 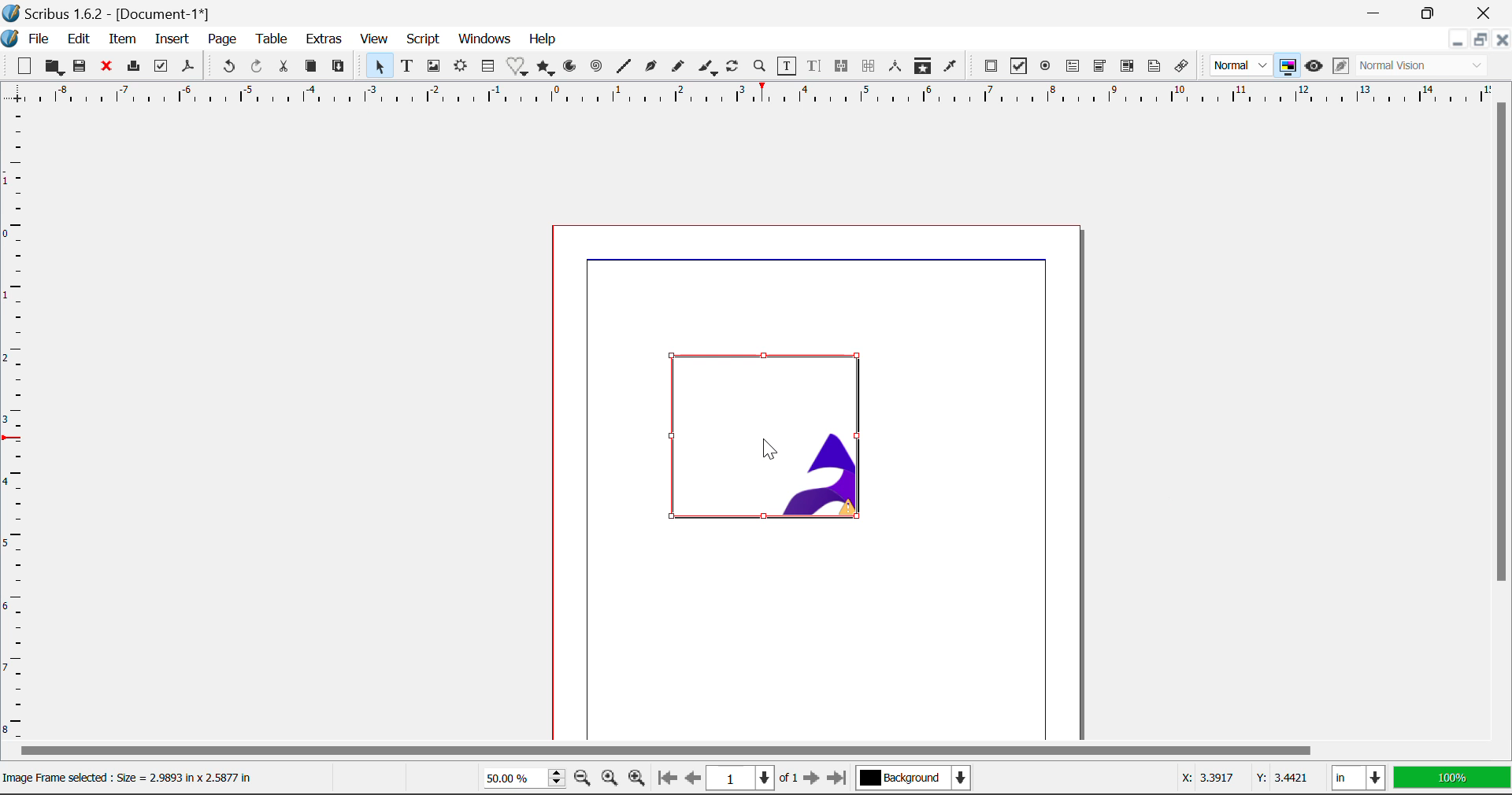 What do you see at coordinates (106, 67) in the screenshot?
I see `Close` at bounding box center [106, 67].